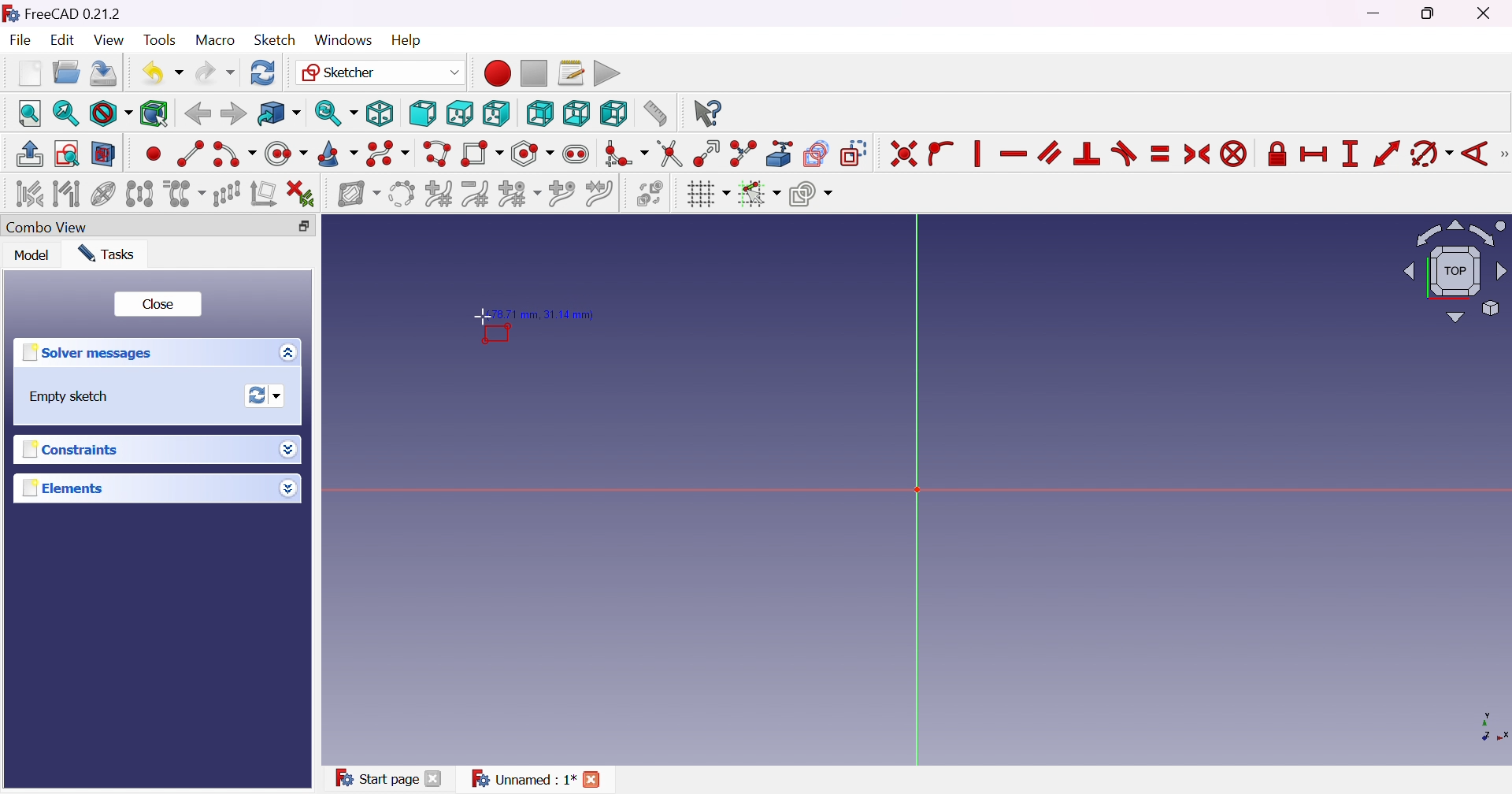 Image resolution: width=1512 pixels, height=794 pixels. What do you see at coordinates (1487, 14) in the screenshot?
I see `Close` at bounding box center [1487, 14].